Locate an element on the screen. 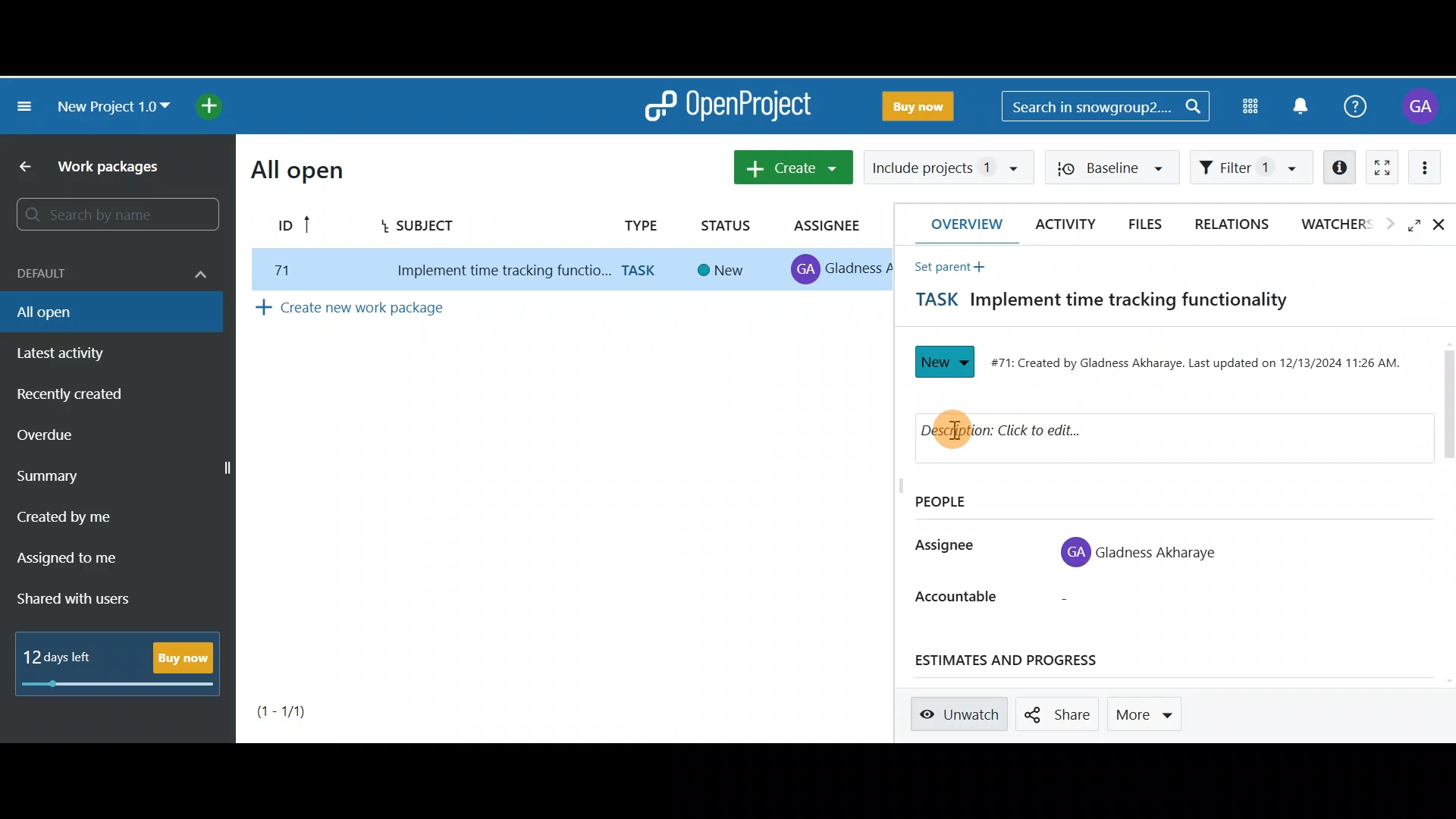 The height and width of the screenshot is (819, 1456). Accountable is located at coordinates (954, 597).